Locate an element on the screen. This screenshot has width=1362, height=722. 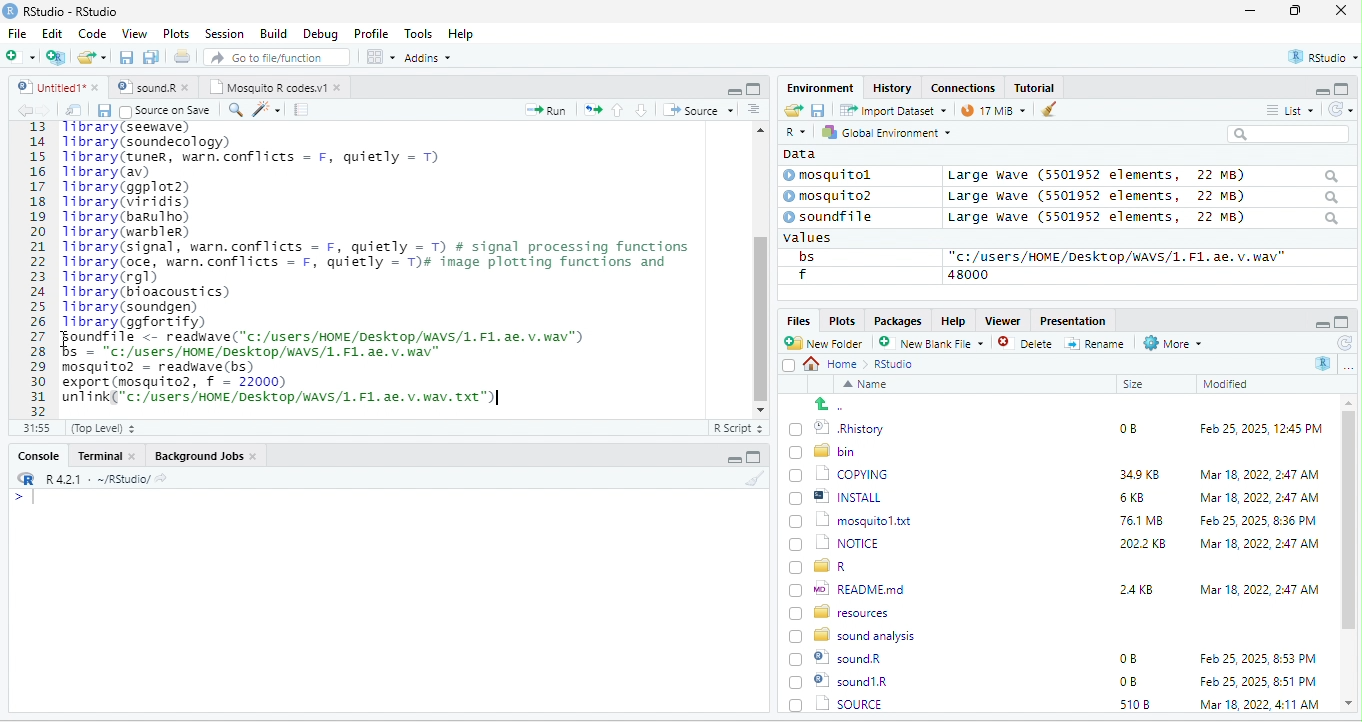
© Rhistory is located at coordinates (838, 426).